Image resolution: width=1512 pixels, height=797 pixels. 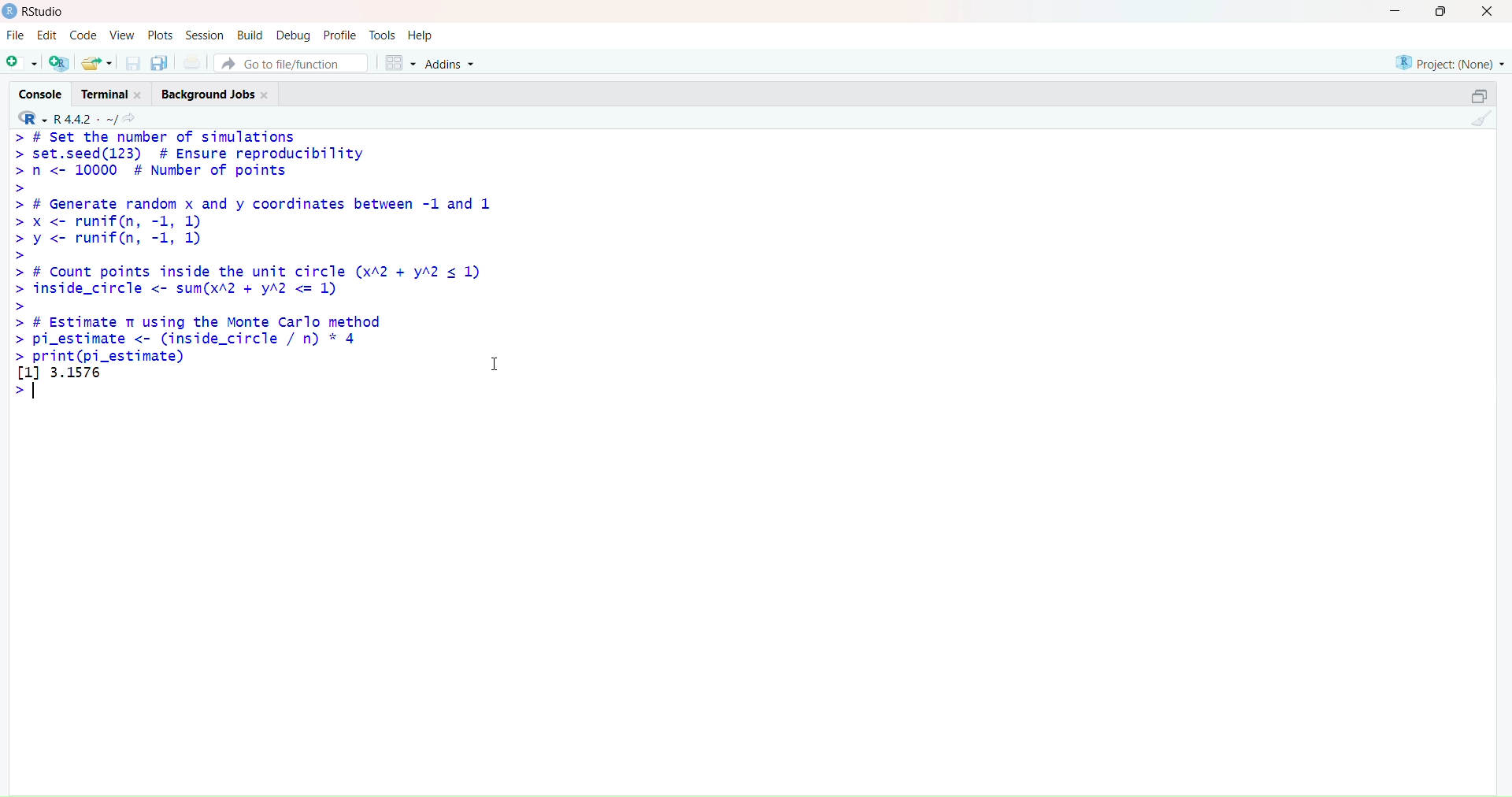 What do you see at coordinates (1395, 11) in the screenshot?
I see `Minimize` at bounding box center [1395, 11].